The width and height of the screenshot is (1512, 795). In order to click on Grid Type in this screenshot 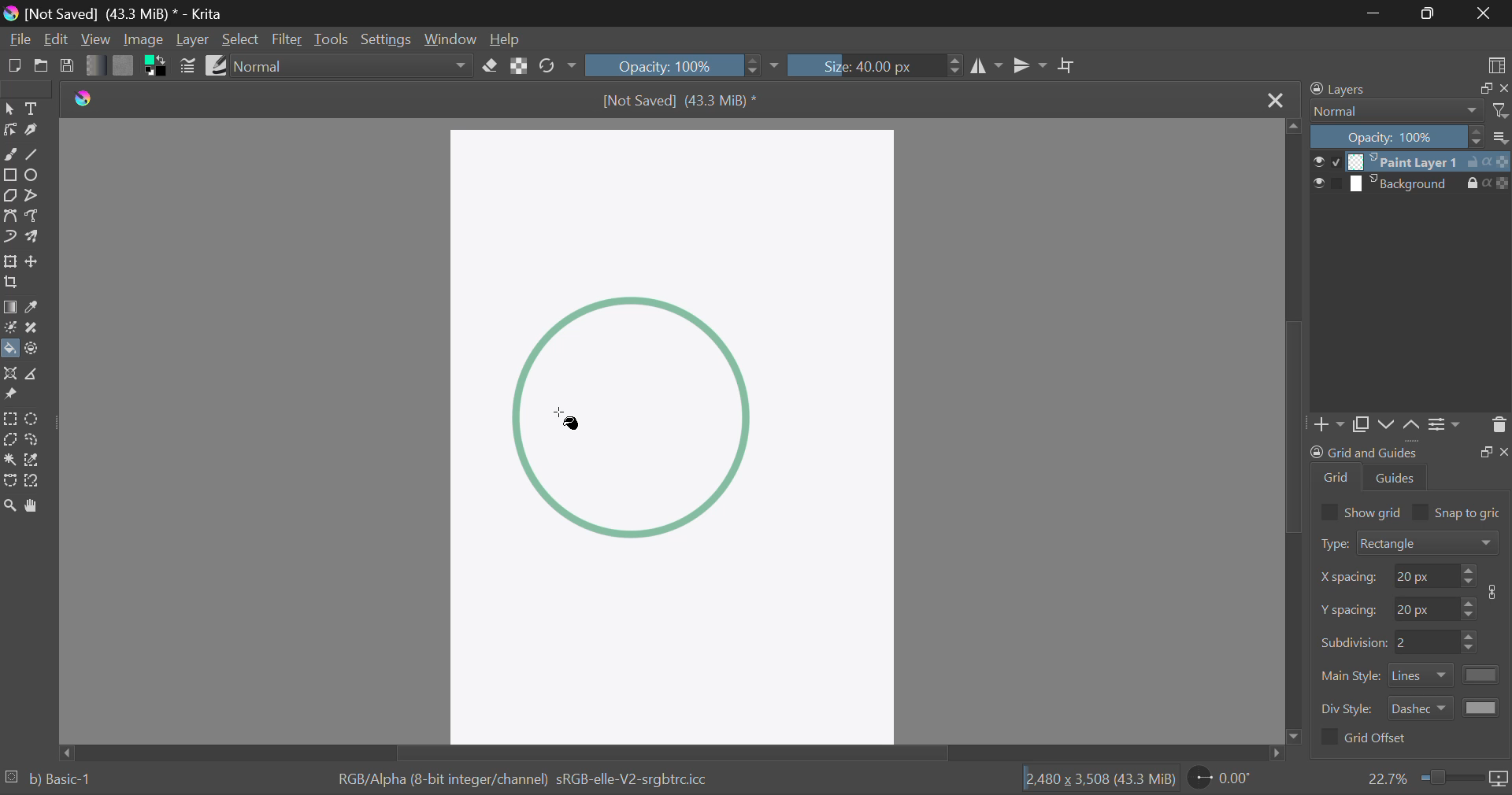, I will do `click(1411, 545)`.